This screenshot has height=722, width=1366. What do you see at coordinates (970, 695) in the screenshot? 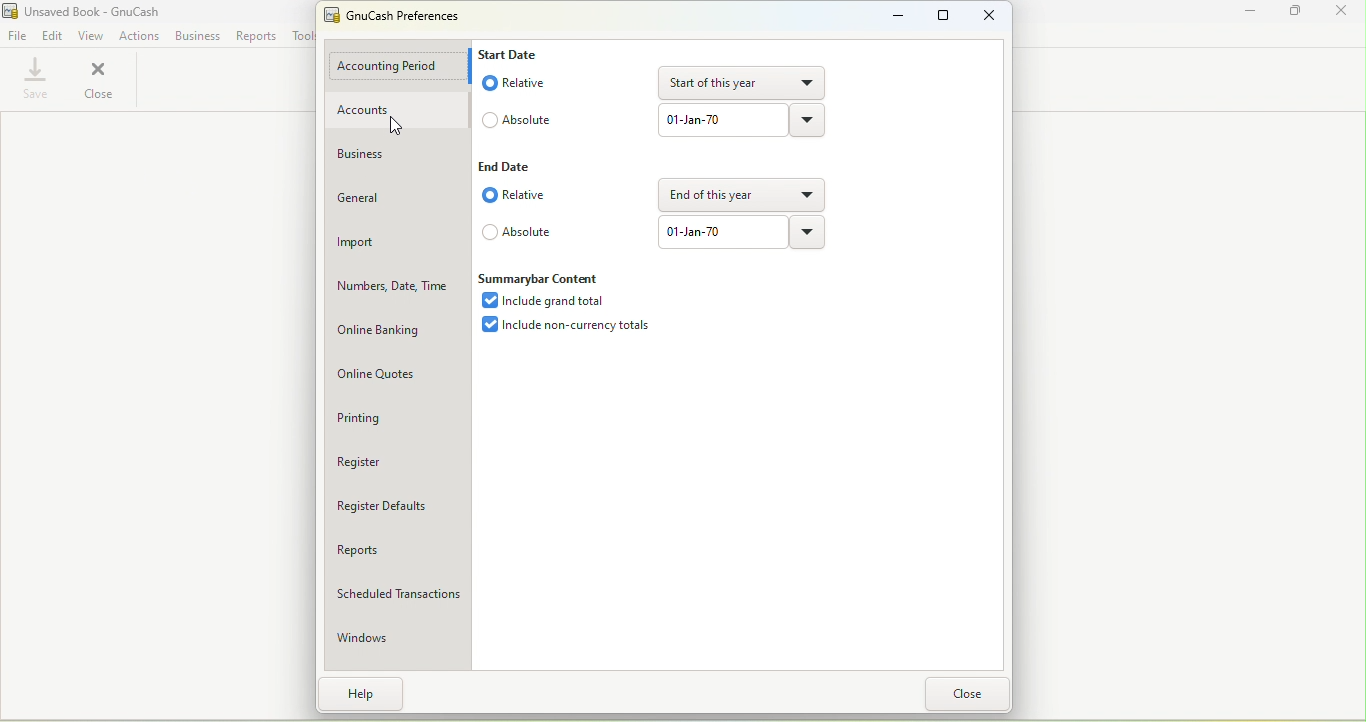
I see `Close` at bounding box center [970, 695].